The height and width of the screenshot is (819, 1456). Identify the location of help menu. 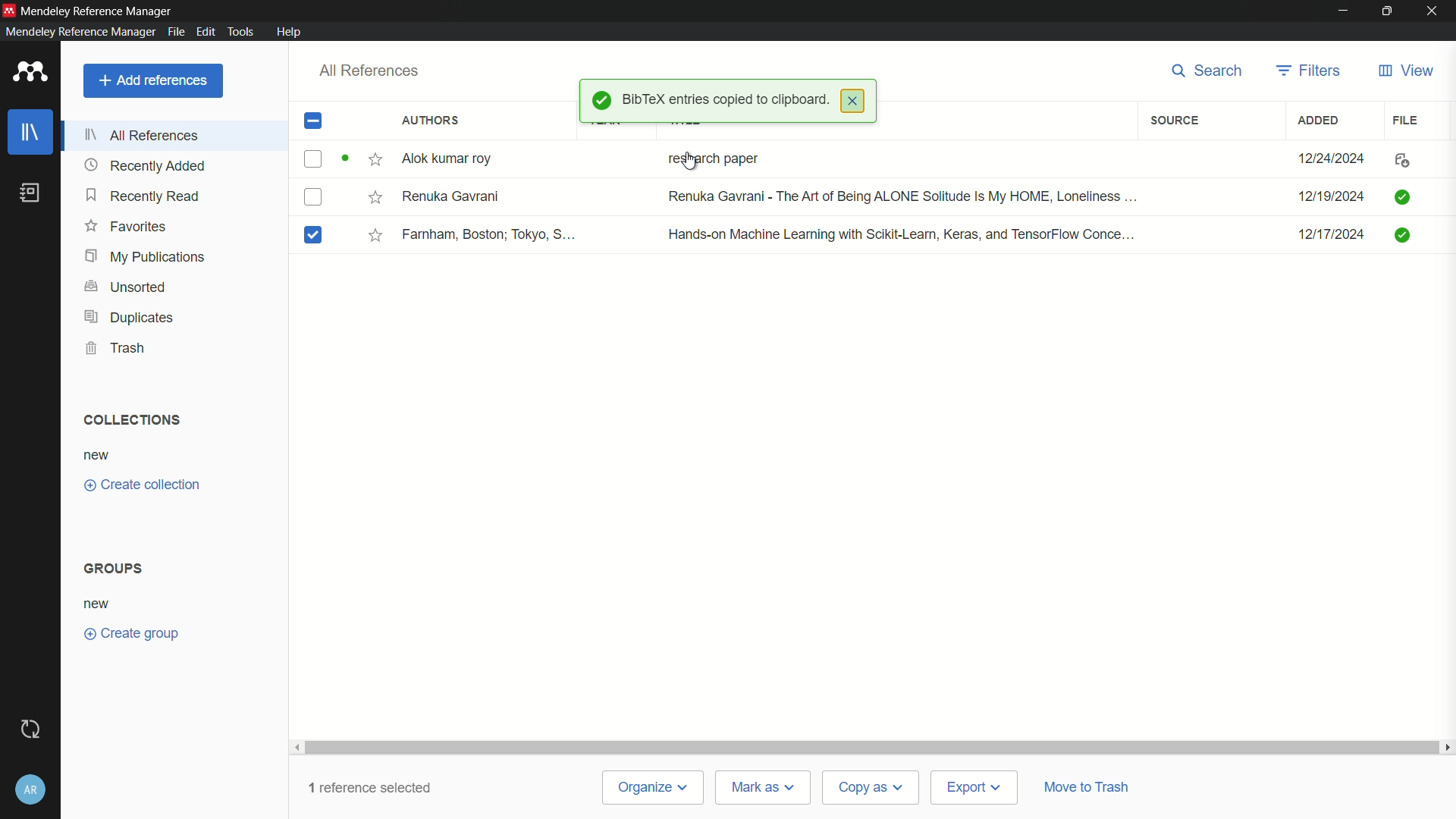
(291, 32).